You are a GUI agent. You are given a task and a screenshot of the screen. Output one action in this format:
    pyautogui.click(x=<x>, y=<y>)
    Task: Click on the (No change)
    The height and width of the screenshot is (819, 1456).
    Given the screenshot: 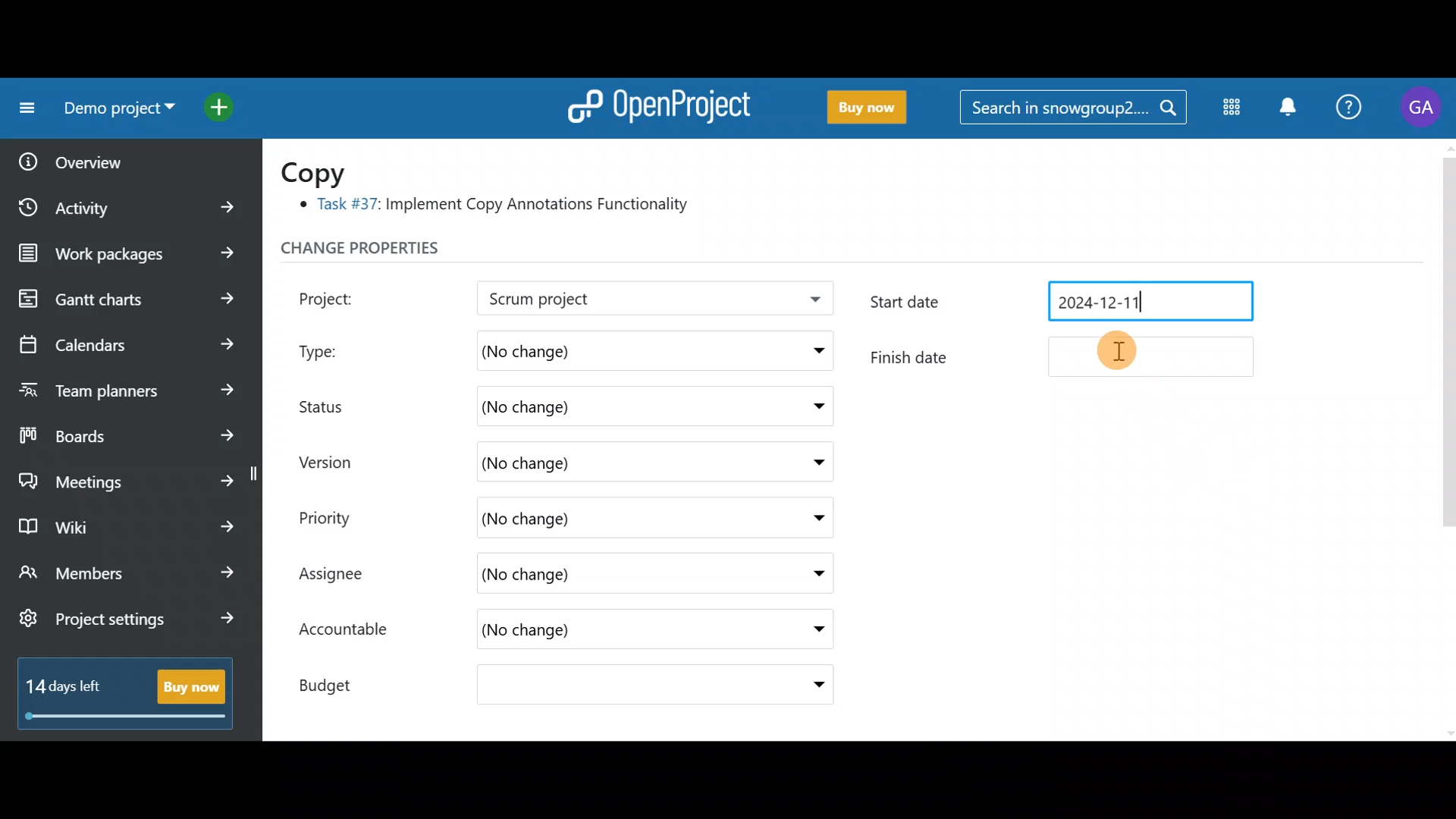 What is the action you would take?
    pyautogui.click(x=573, y=518)
    